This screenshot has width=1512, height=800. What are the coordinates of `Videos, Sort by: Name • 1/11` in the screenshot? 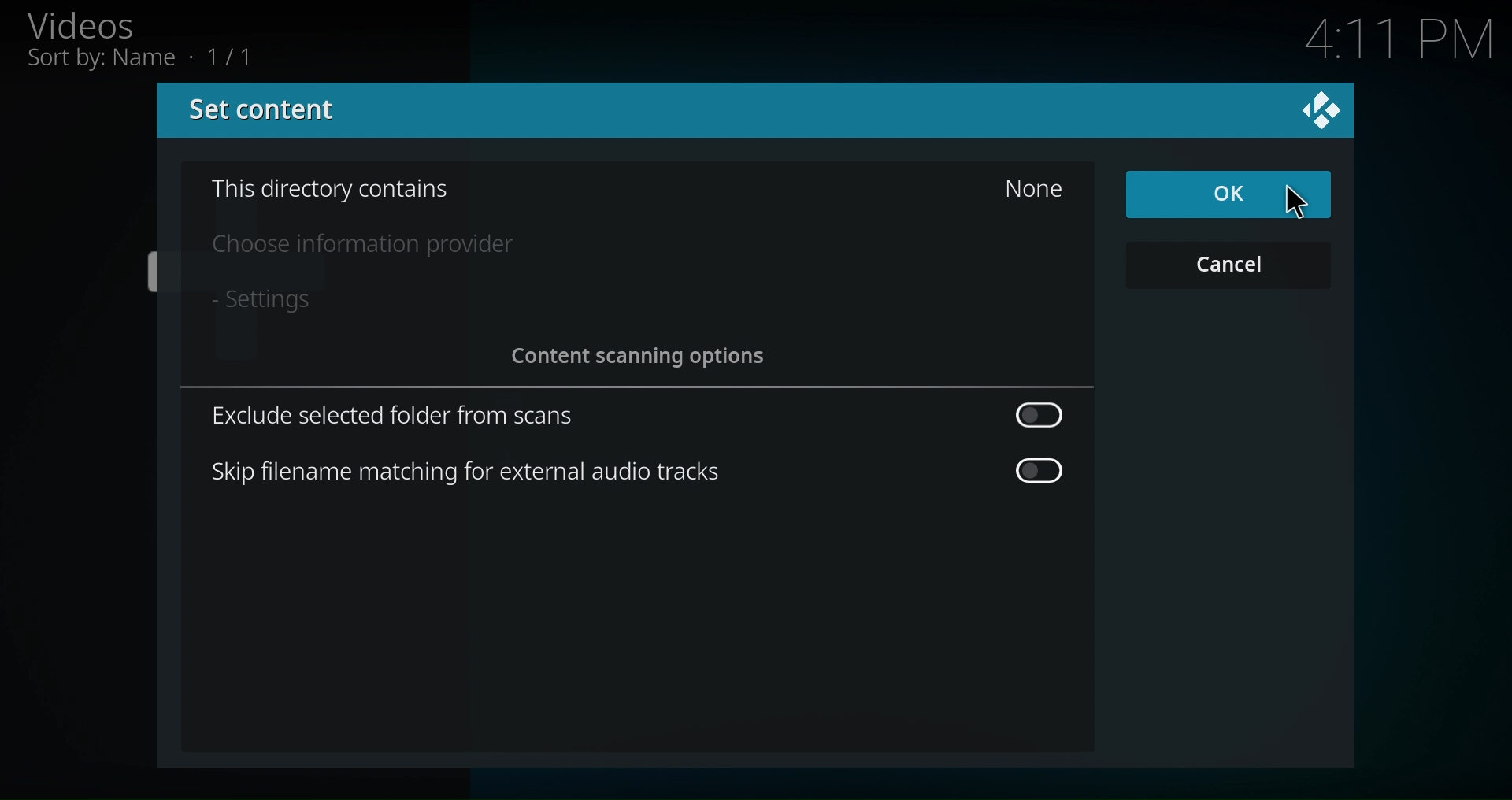 It's located at (155, 39).